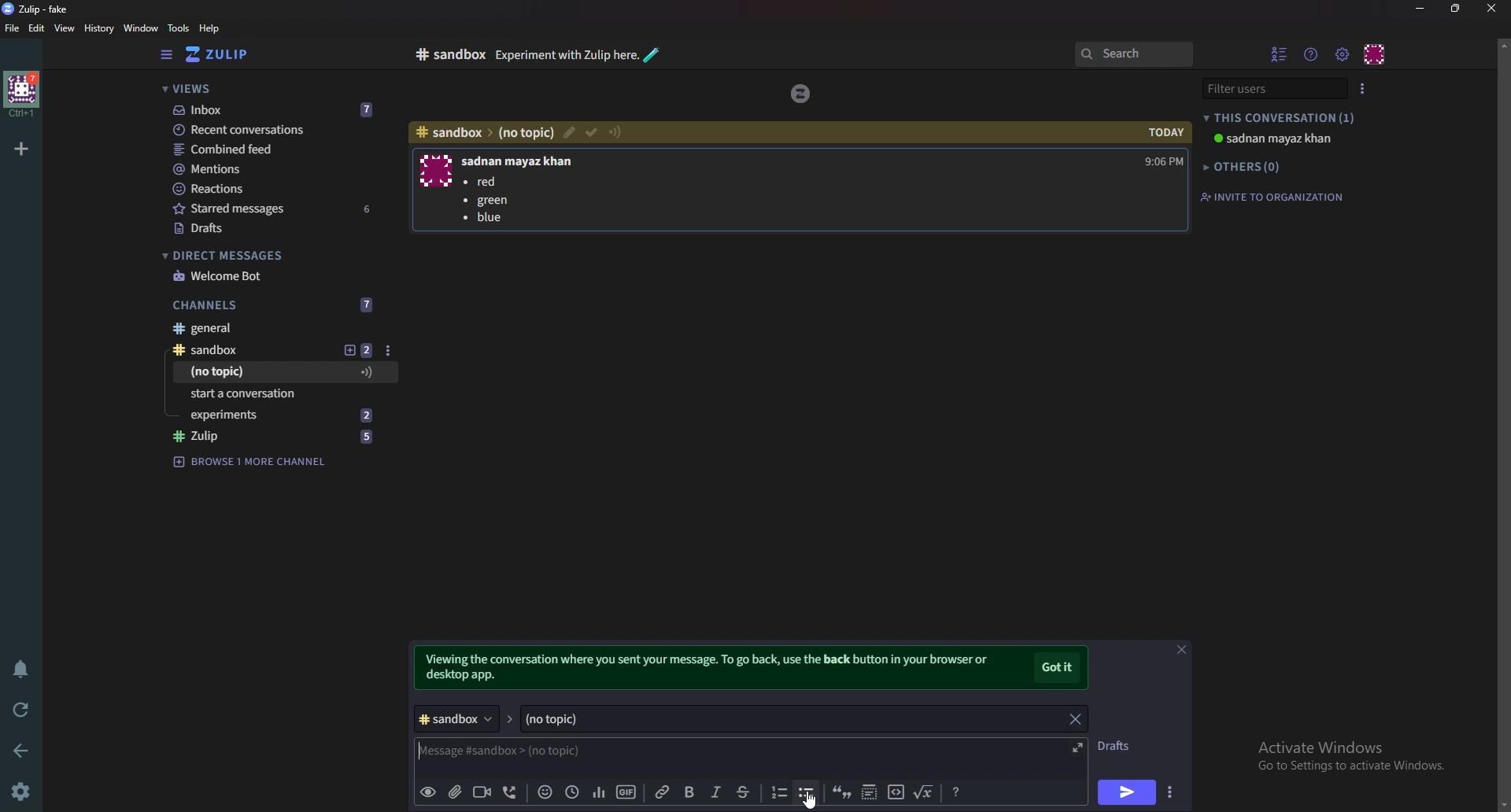 This screenshot has width=1511, height=812. Describe the element at coordinates (665, 792) in the screenshot. I see `link` at that location.